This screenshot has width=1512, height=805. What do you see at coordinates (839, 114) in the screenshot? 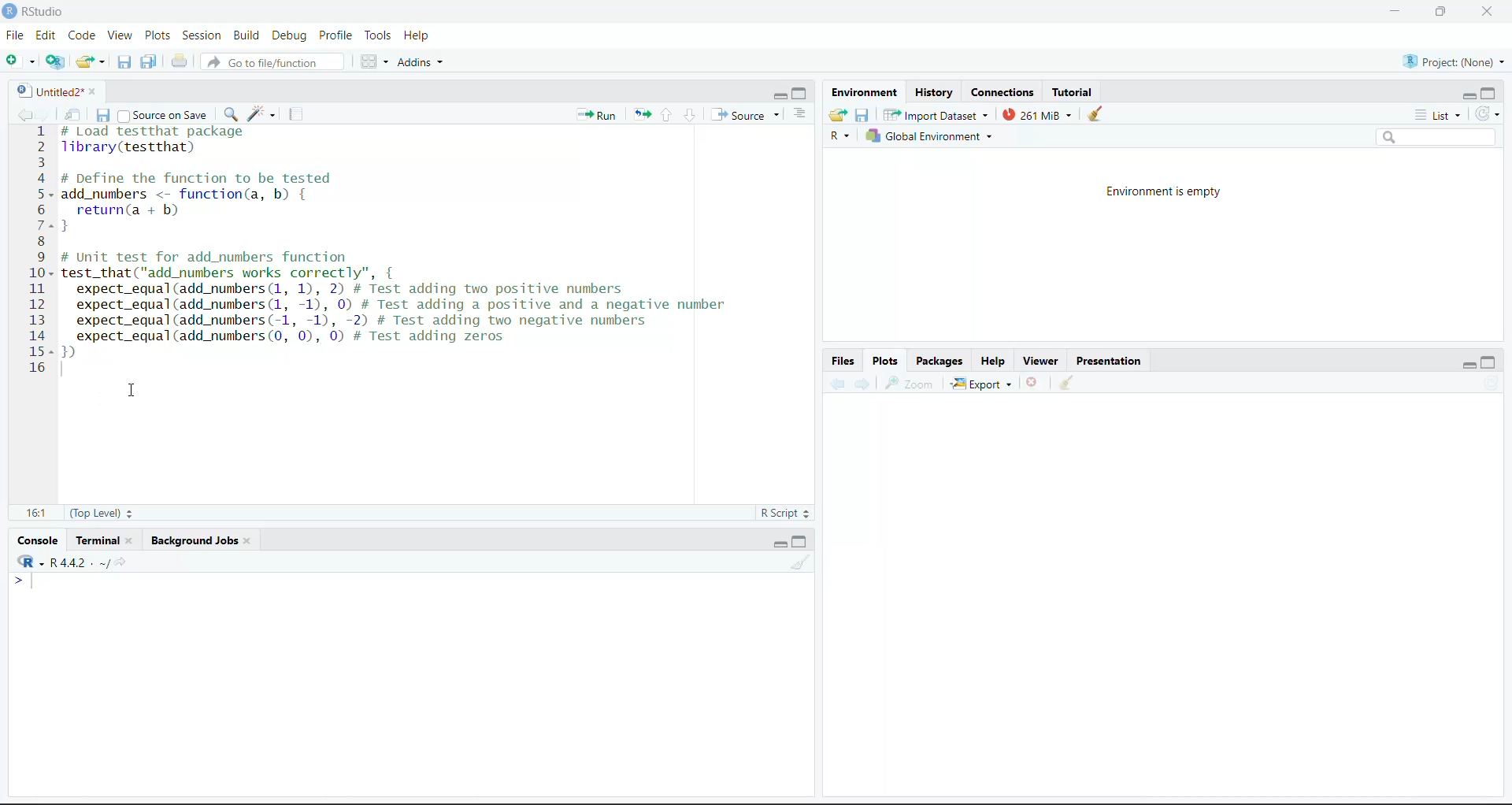
I see `Load workspace` at bounding box center [839, 114].